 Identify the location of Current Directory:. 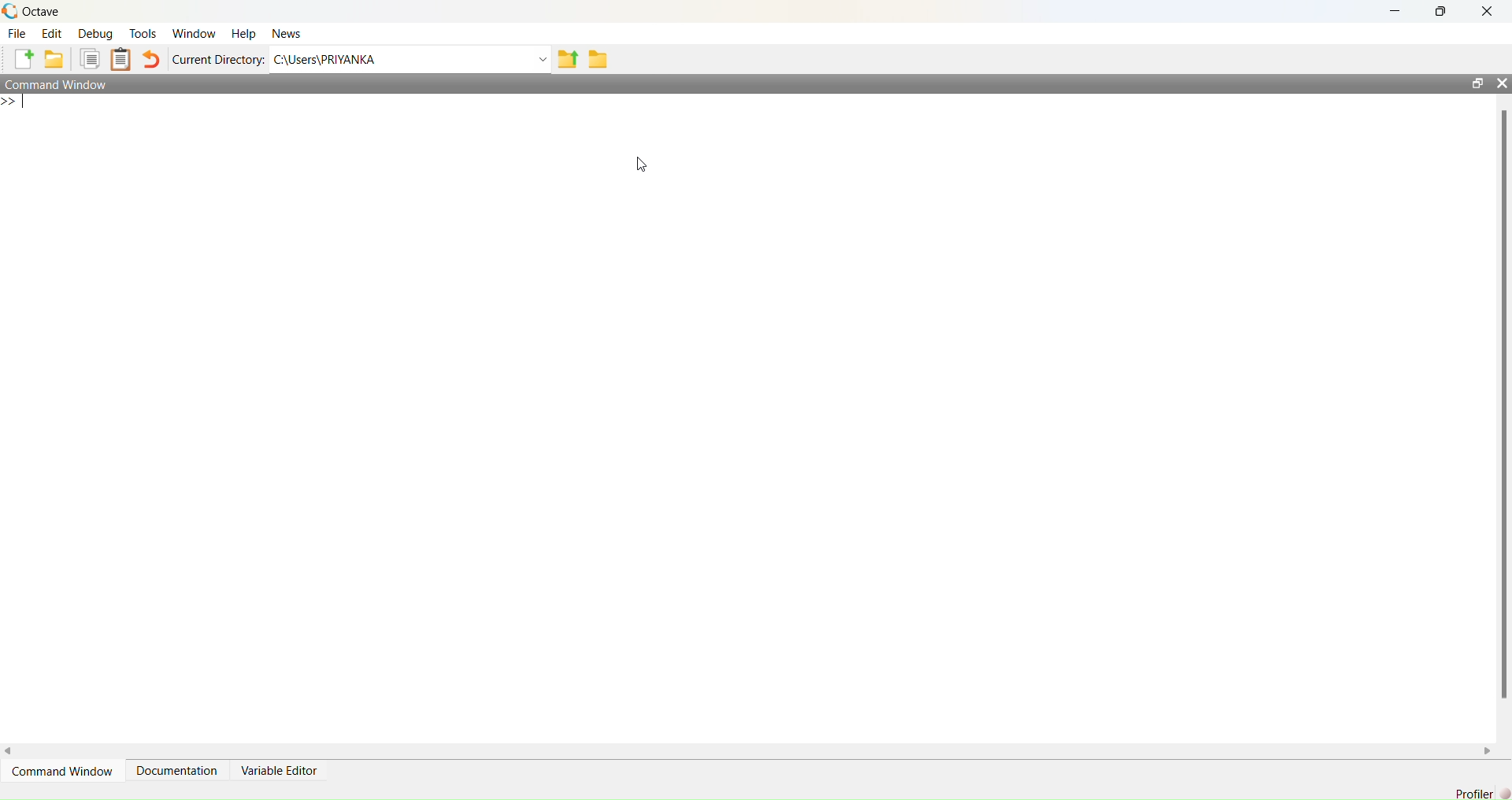
(217, 61).